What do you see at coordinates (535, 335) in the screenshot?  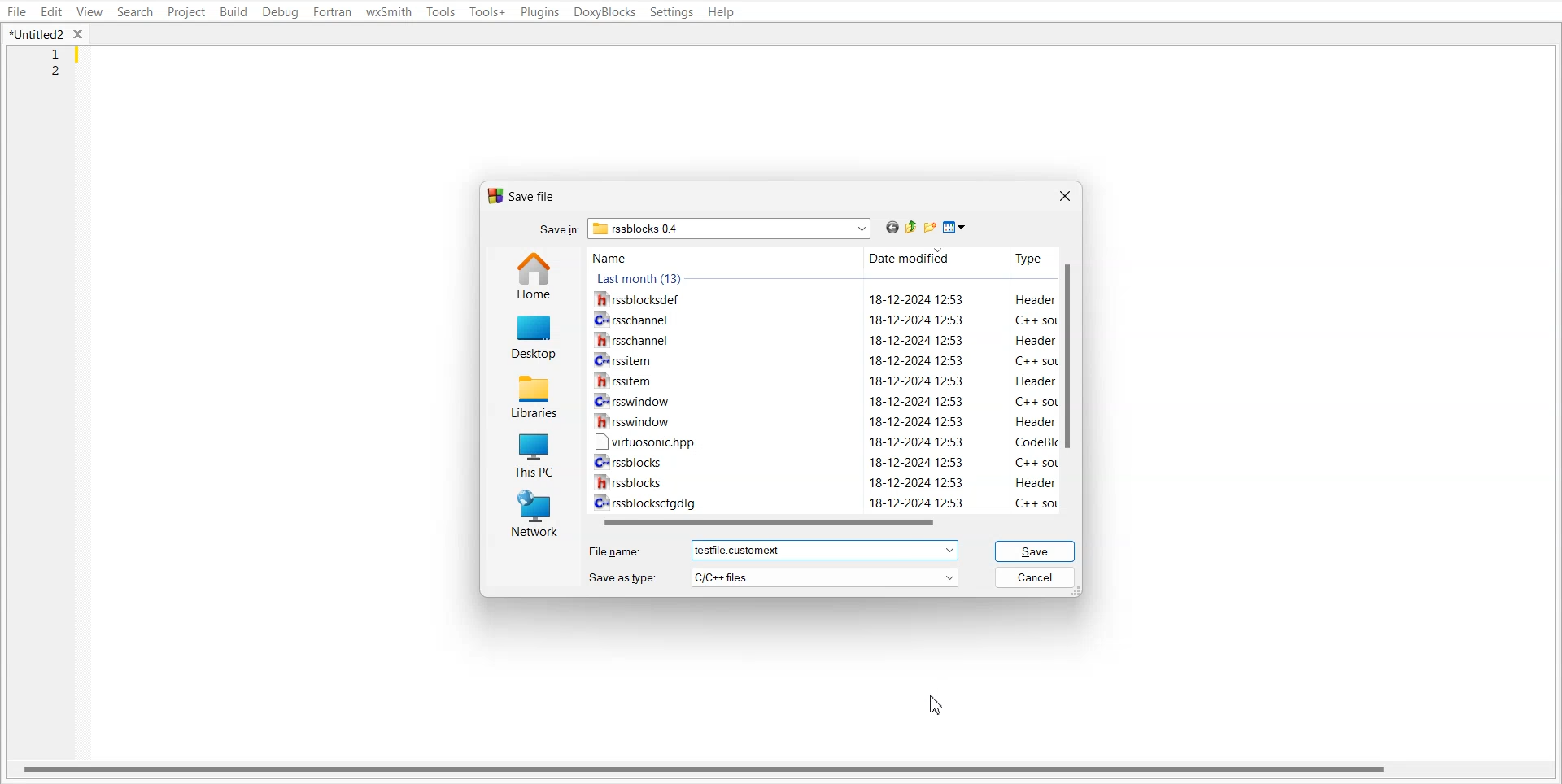 I see `Desktop` at bounding box center [535, 335].